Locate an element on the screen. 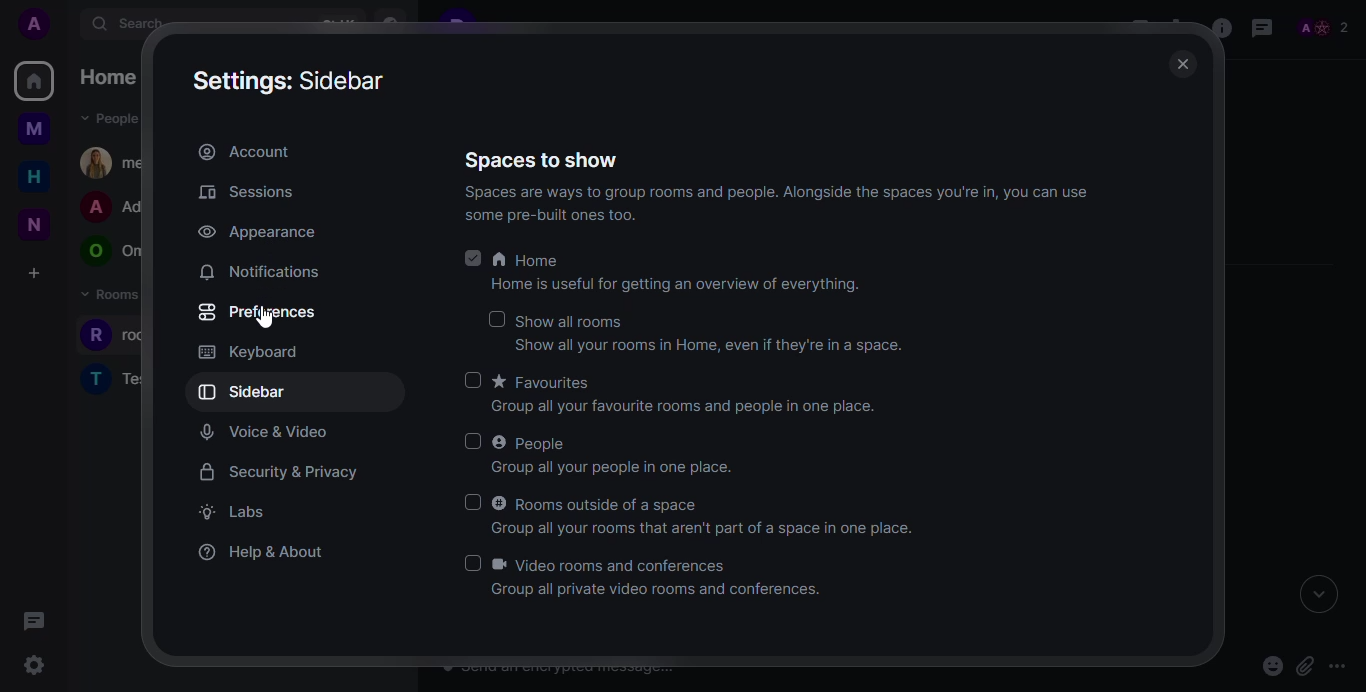 The width and height of the screenshot is (1366, 692). more is located at coordinates (1338, 665).